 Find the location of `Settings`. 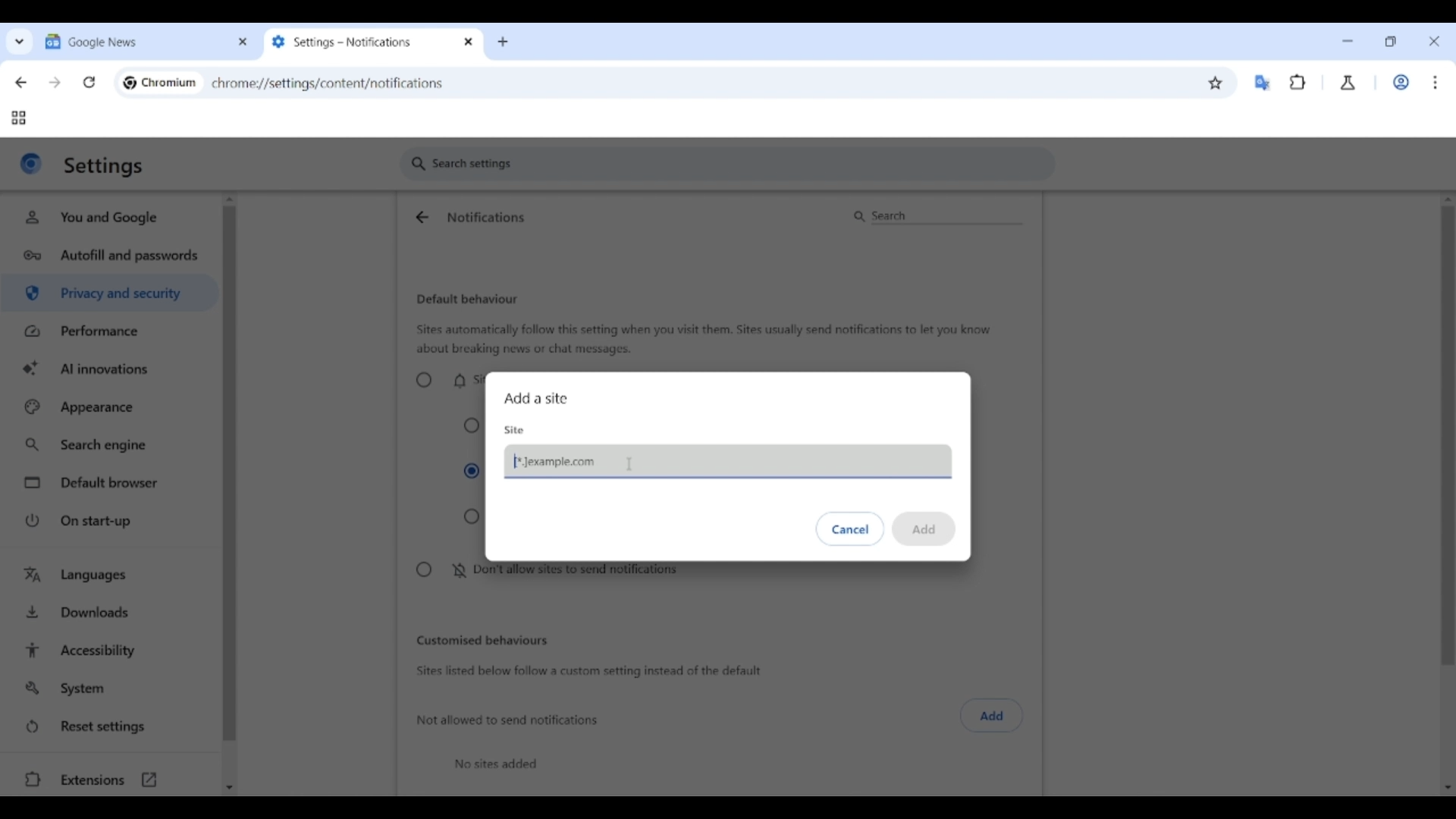

Settings is located at coordinates (105, 166).